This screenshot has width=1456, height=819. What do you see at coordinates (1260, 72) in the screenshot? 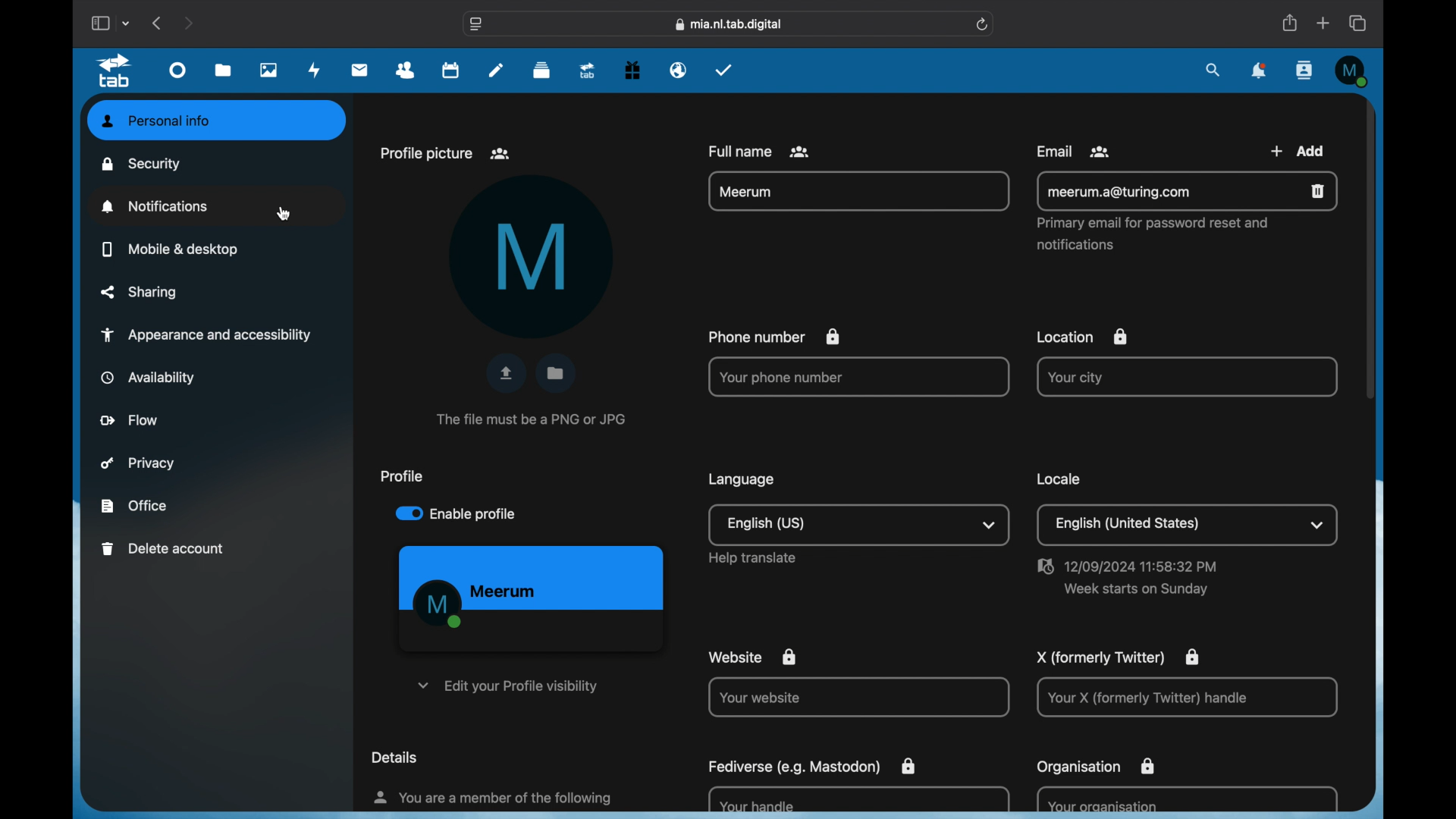
I see `notifications` at bounding box center [1260, 72].